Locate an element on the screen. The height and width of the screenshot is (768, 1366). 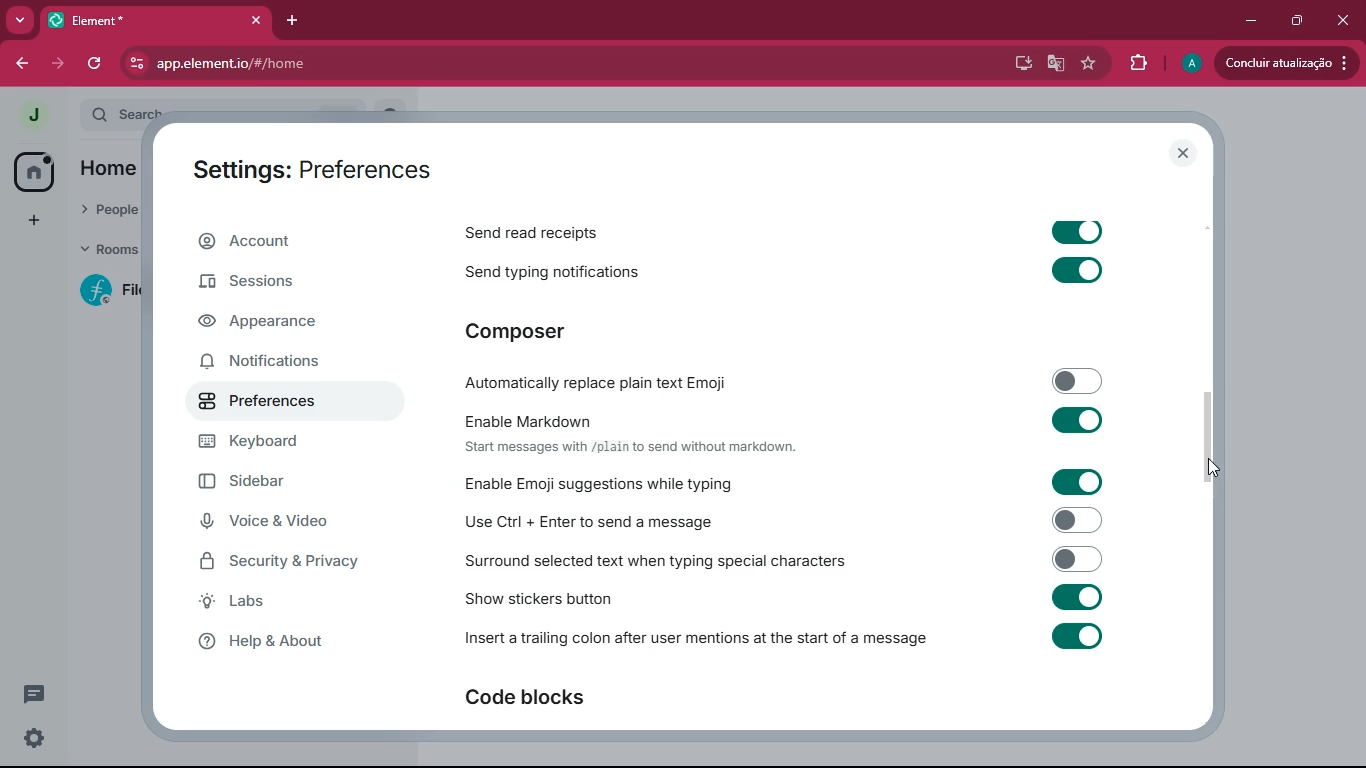
keyboard is located at coordinates (284, 442).